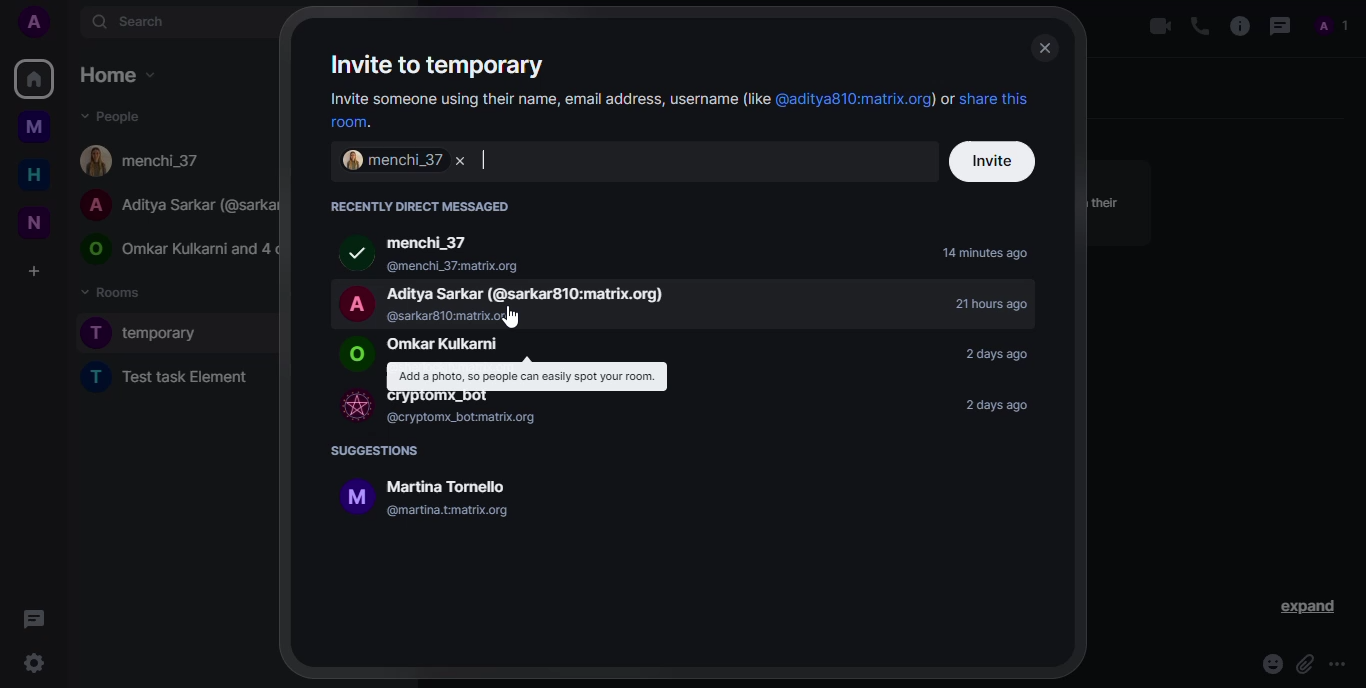 Image resolution: width=1366 pixels, height=688 pixels. Describe the element at coordinates (174, 250) in the screenshot. I see `peoPLe` at that location.